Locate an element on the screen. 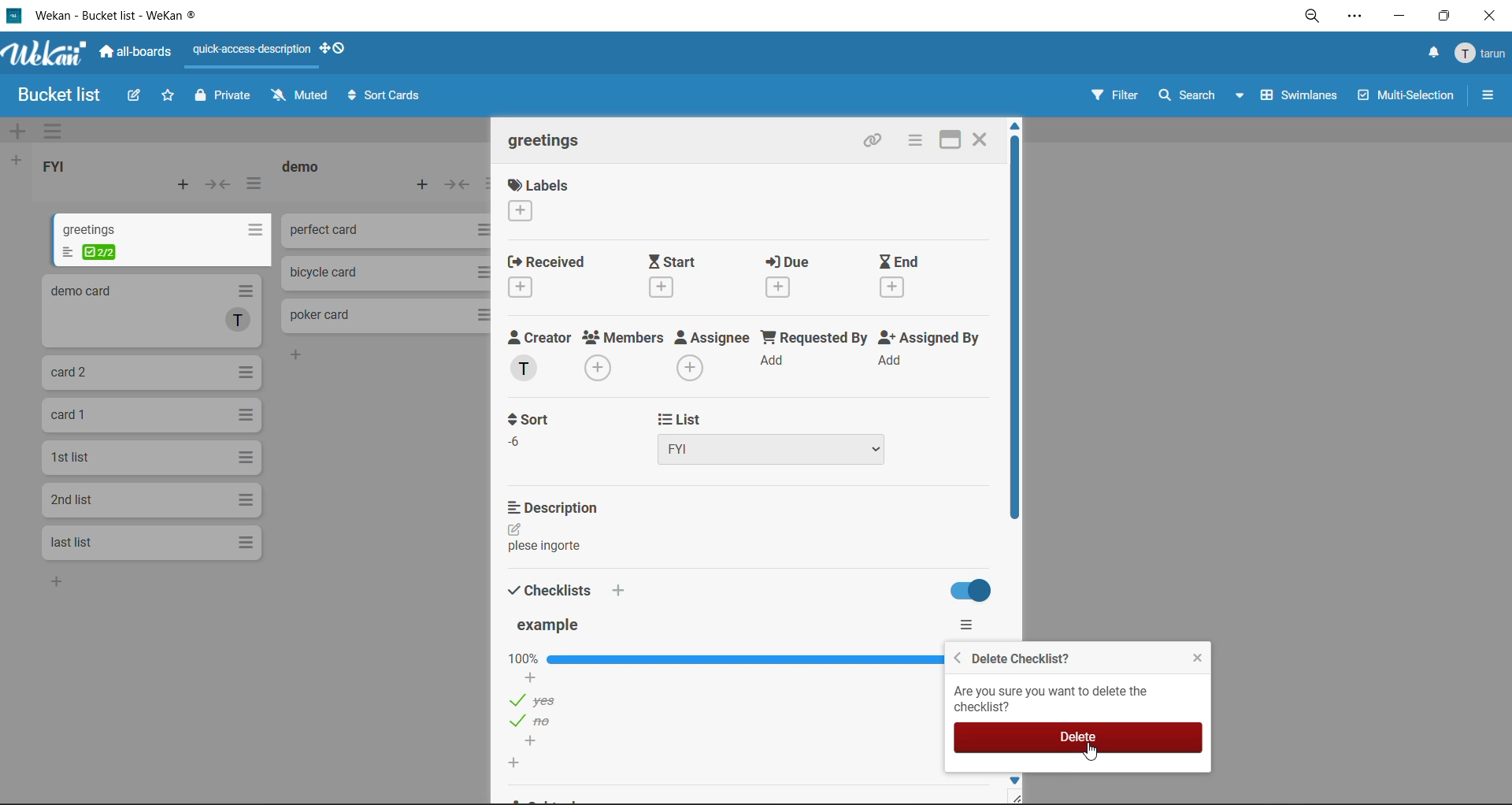 The height and width of the screenshot is (805, 1512). add new checklist is located at coordinates (517, 763).